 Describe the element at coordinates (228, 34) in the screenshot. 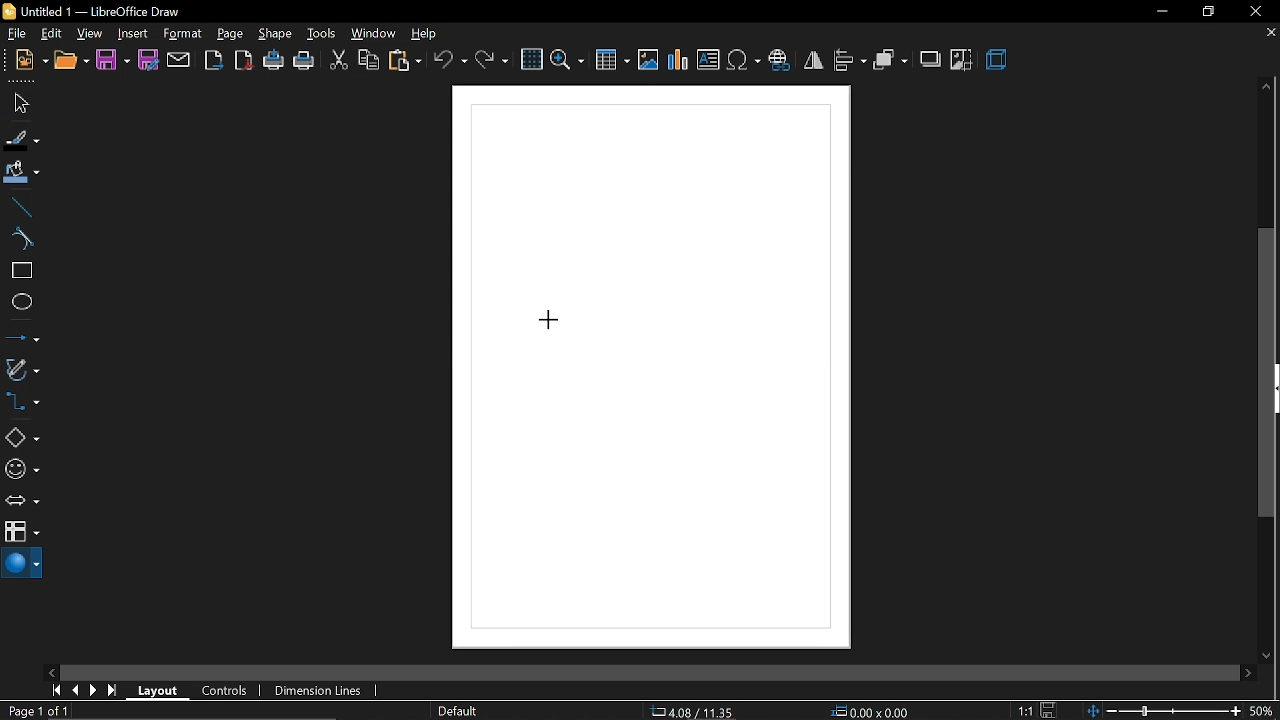

I see `page` at that location.